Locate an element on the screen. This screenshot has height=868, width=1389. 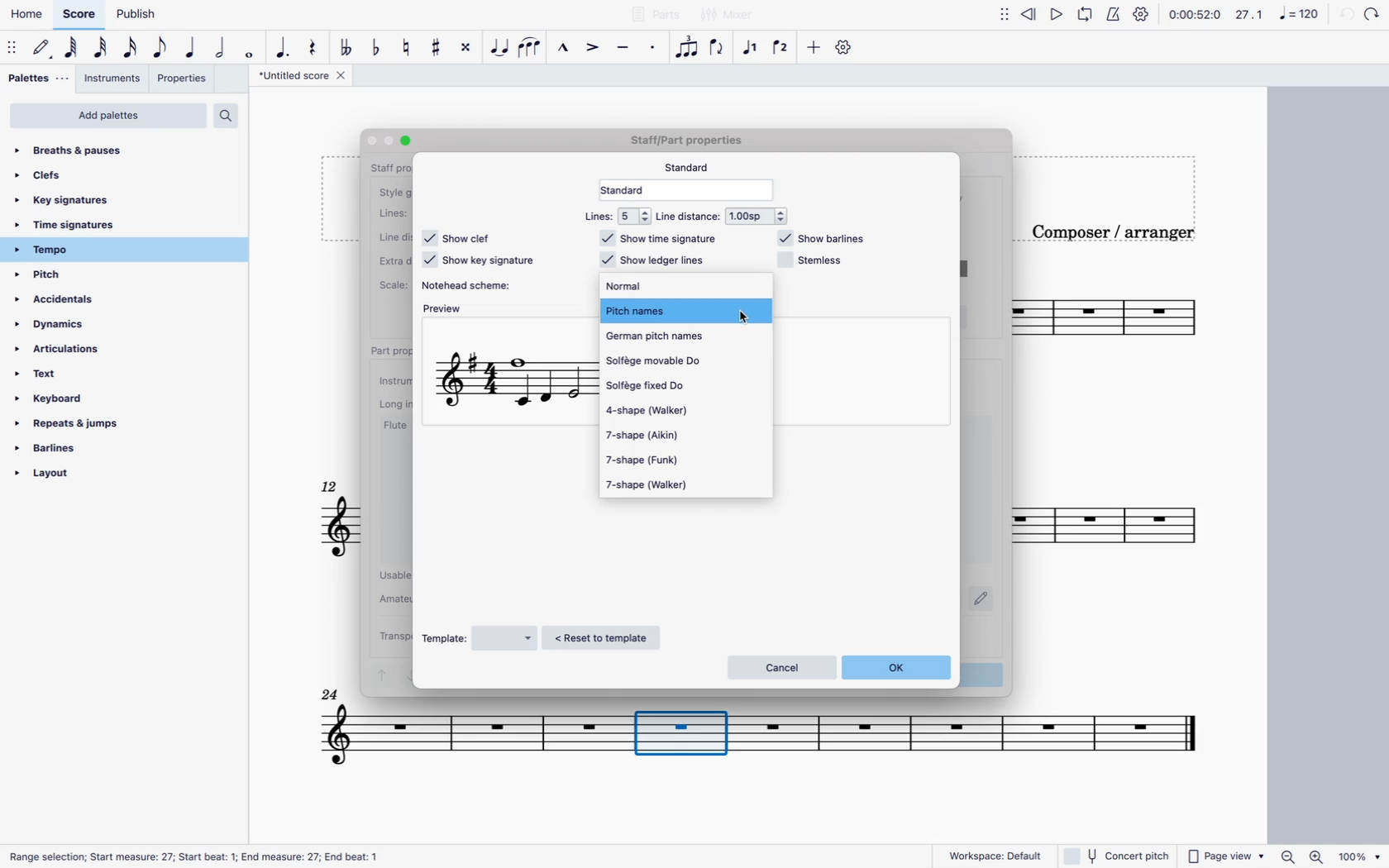
toggle sharp is located at coordinates (436, 50).